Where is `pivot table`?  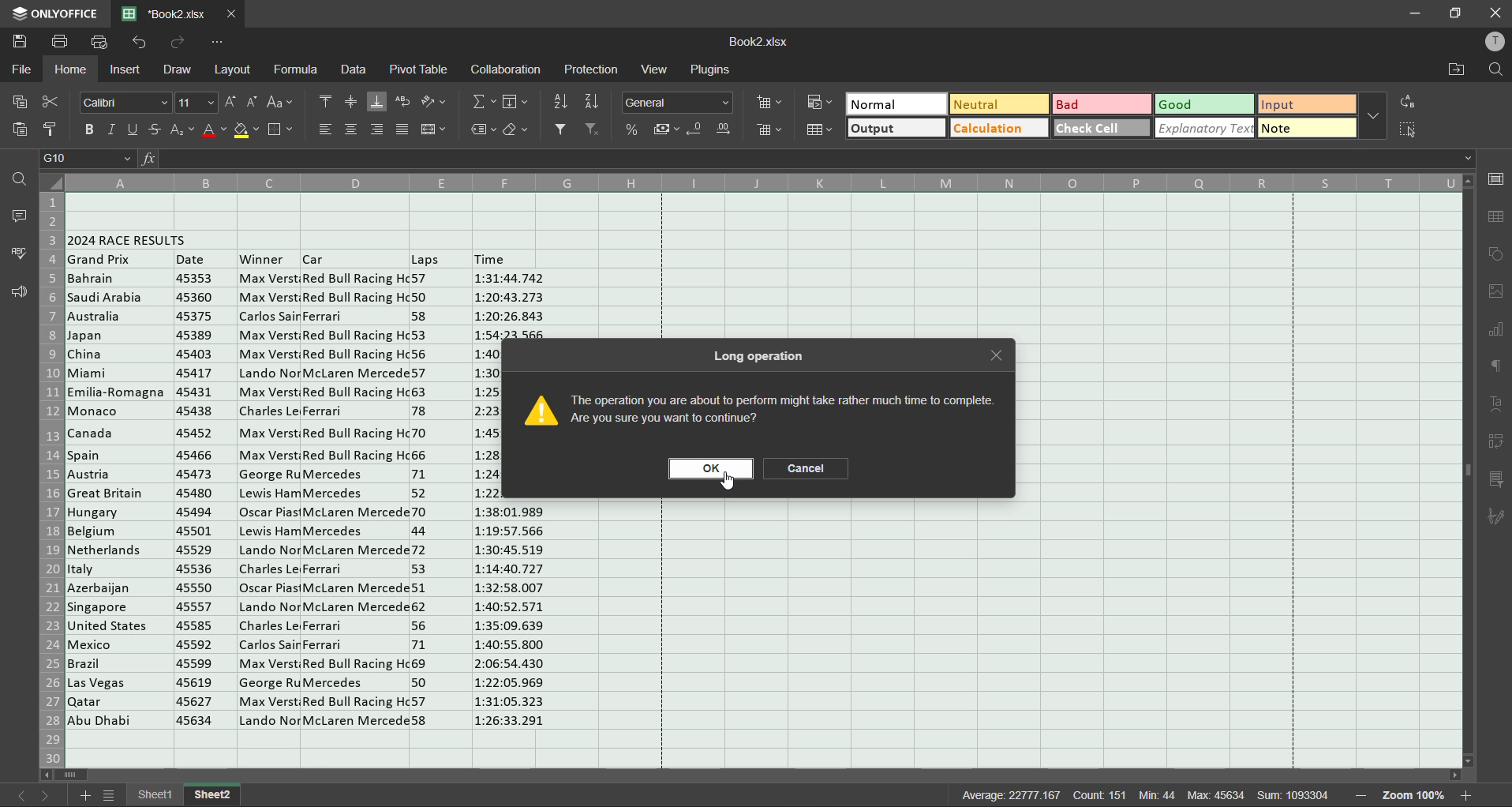
pivot table is located at coordinates (417, 69).